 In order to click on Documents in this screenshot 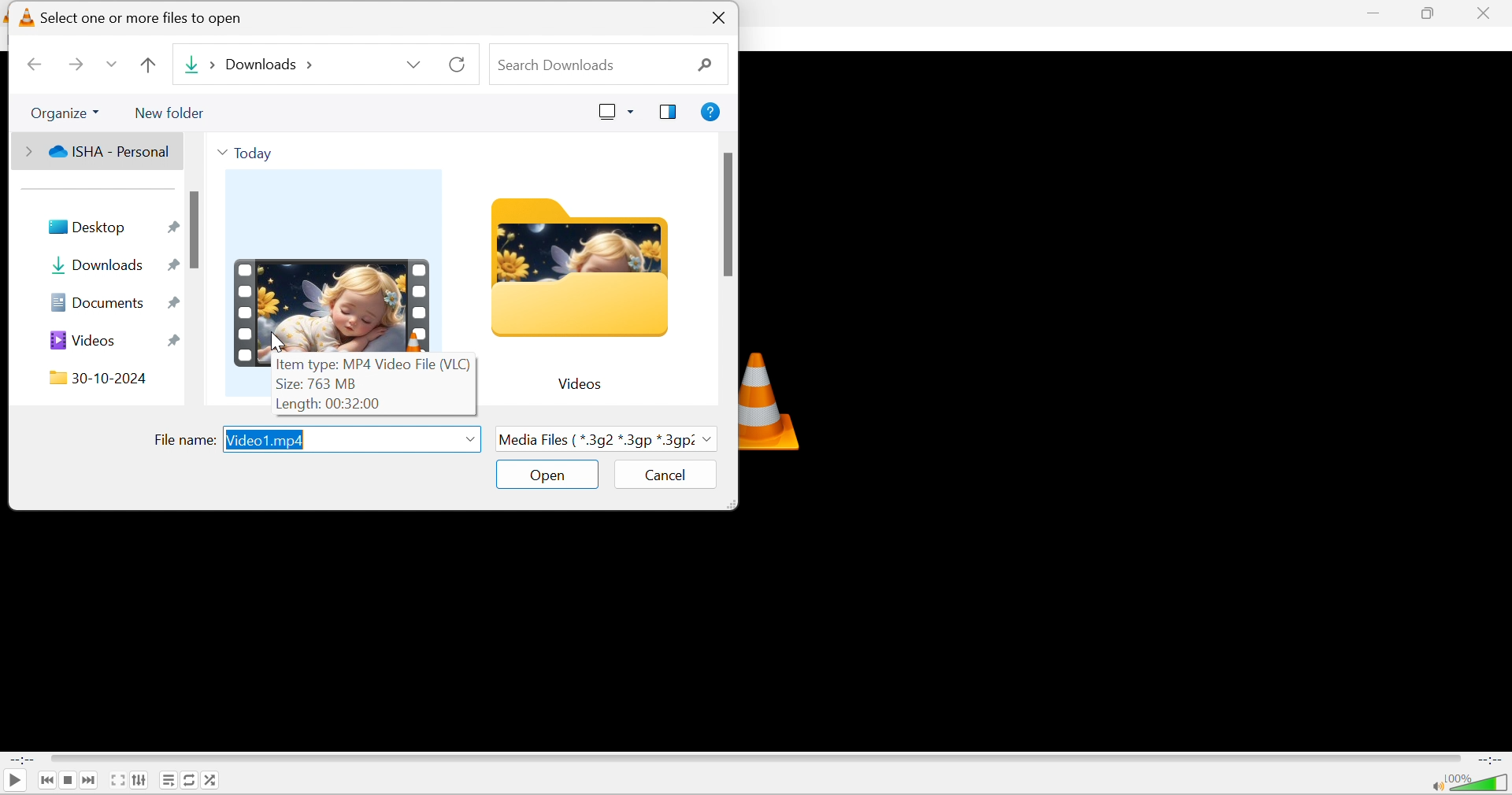, I will do `click(96, 305)`.